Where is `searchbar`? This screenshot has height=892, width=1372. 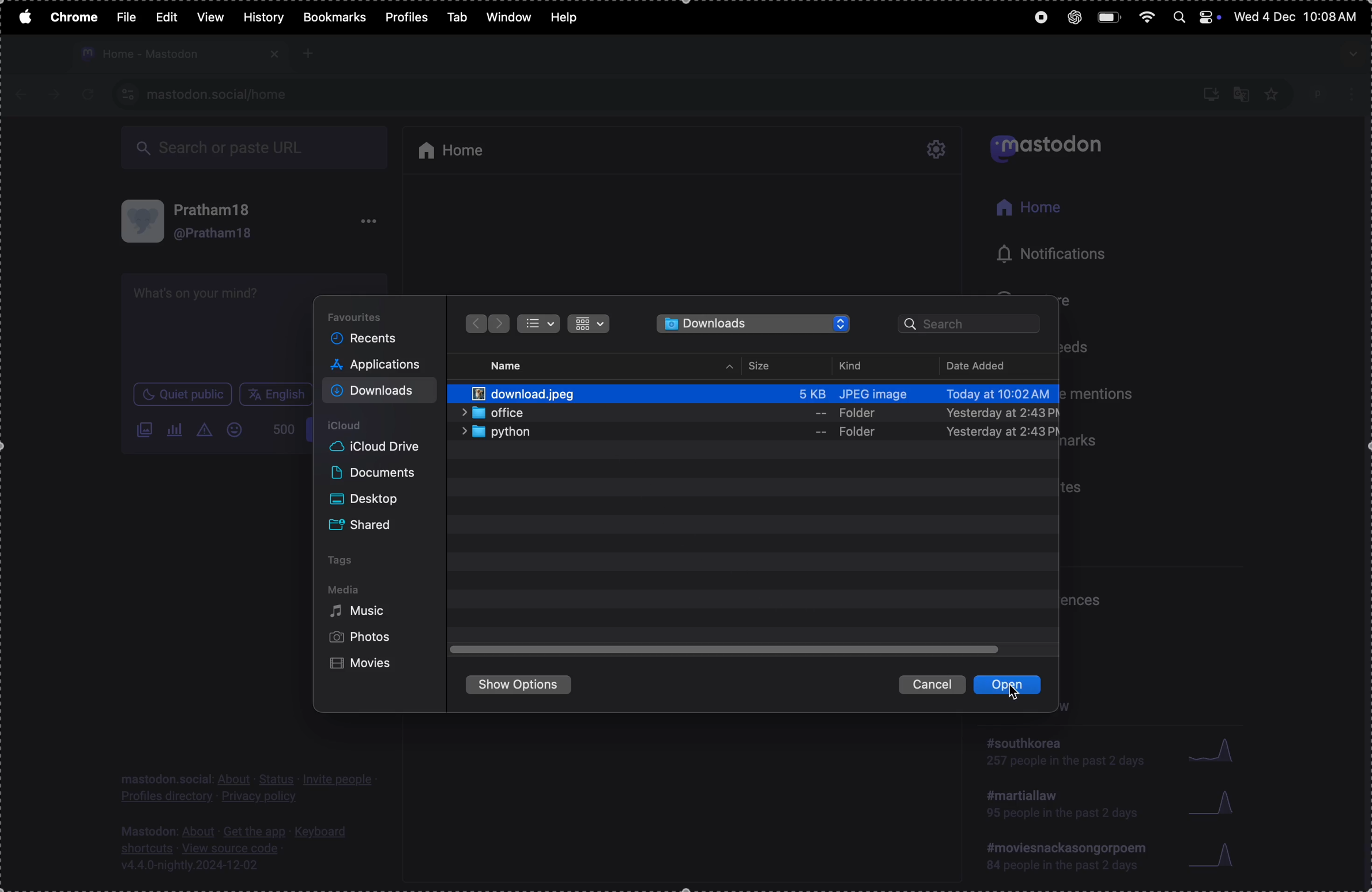
searchbar is located at coordinates (974, 326).